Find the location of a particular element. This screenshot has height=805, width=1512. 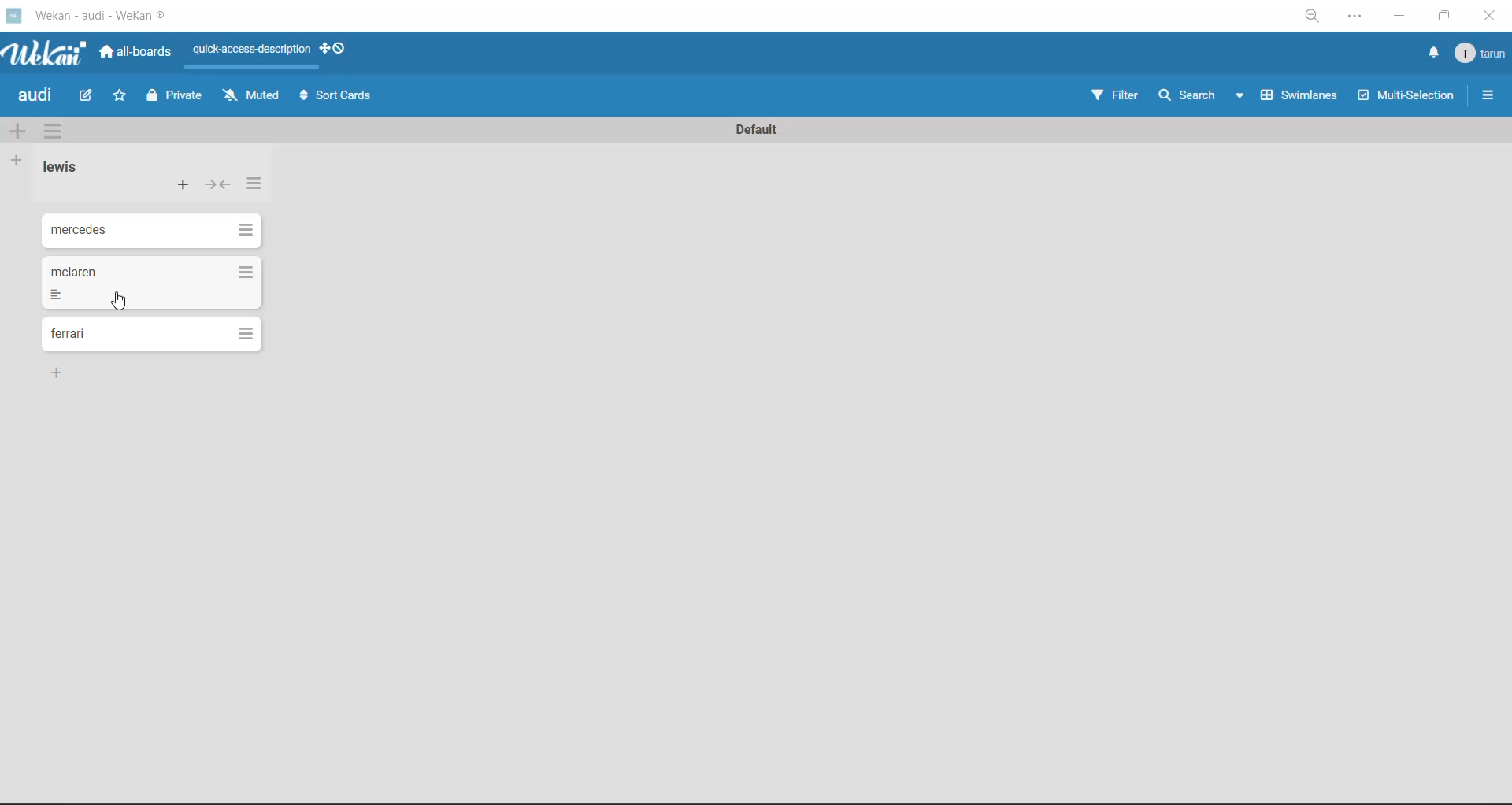

cursor is located at coordinates (121, 302).